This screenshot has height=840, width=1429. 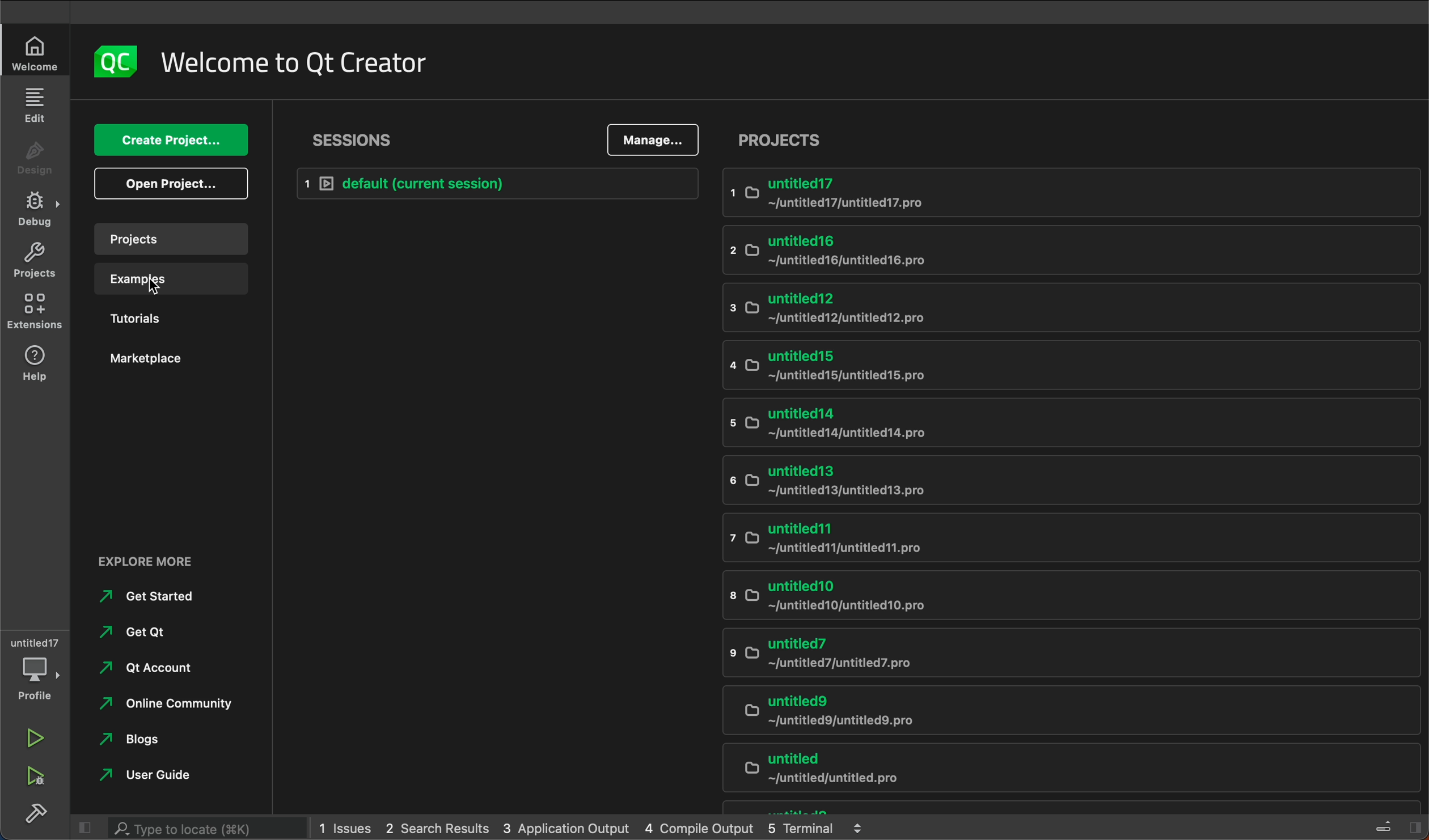 What do you see at coordinates (166, 703) in the screenshot?
I see `online community` at bounding box center [166, 703].